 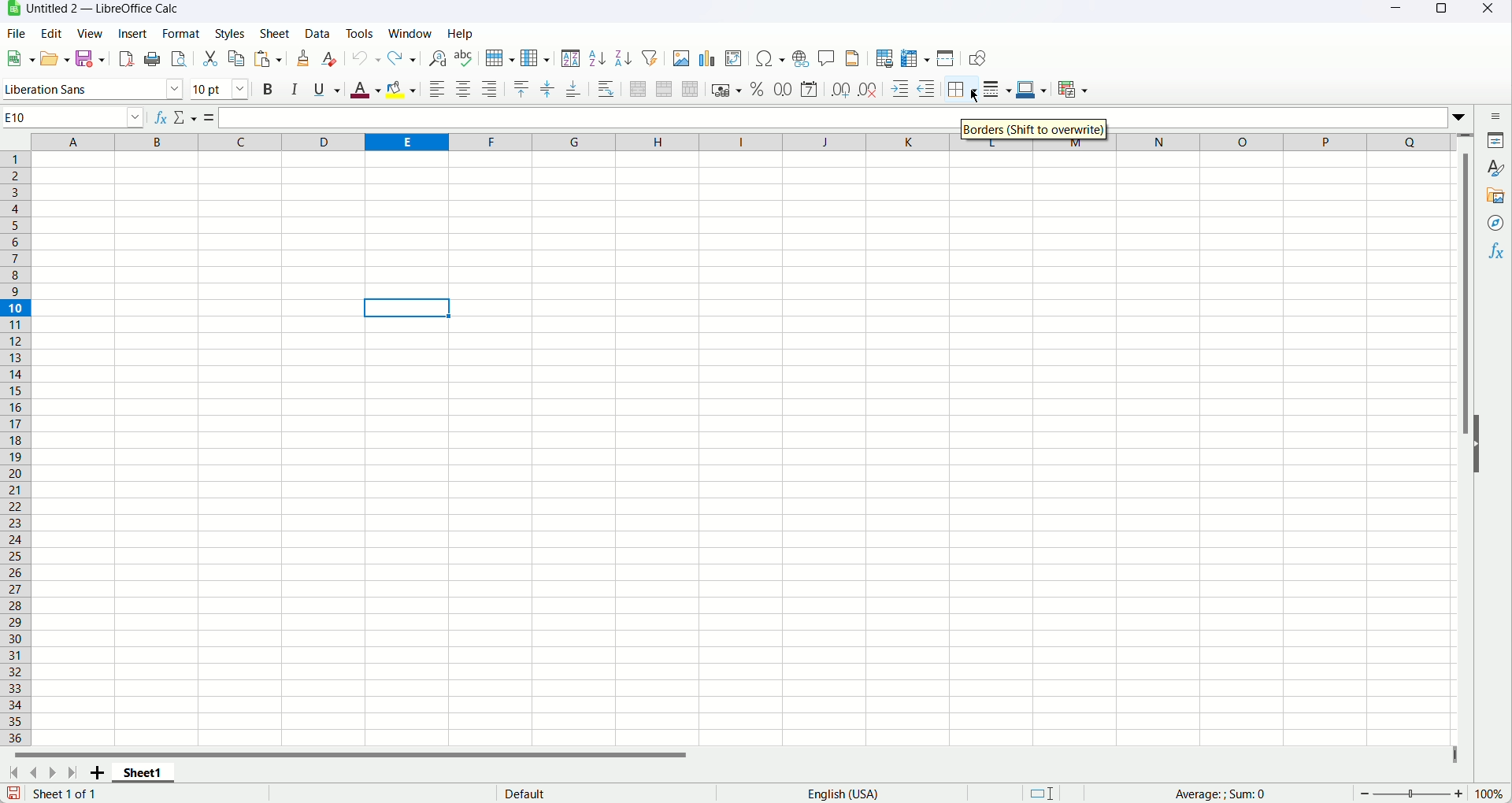 I want to click on Borders (Shift to overwrite), so click(x=1036, y=131).